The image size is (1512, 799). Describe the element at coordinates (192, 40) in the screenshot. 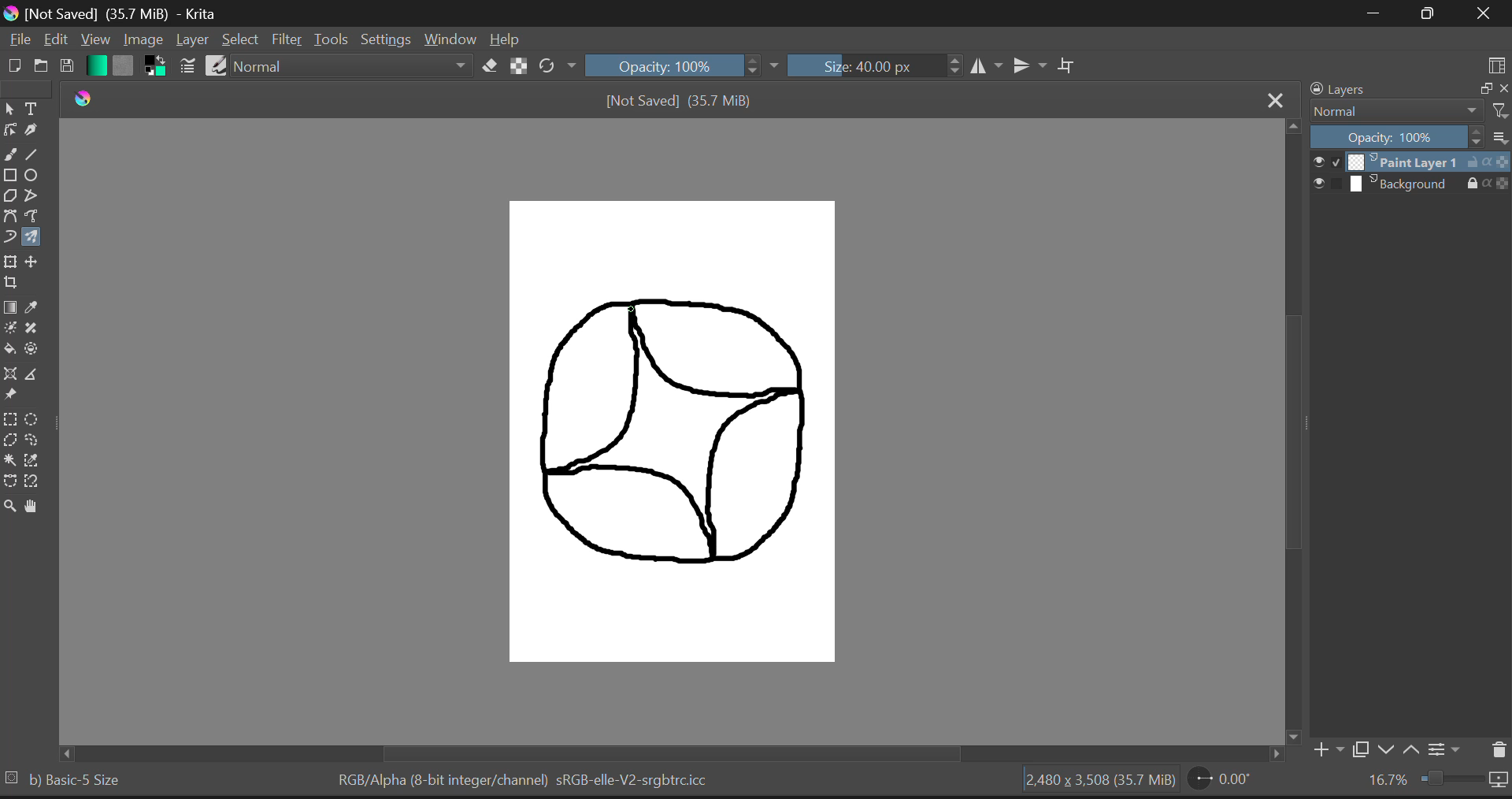

I see `Layer` at that location.